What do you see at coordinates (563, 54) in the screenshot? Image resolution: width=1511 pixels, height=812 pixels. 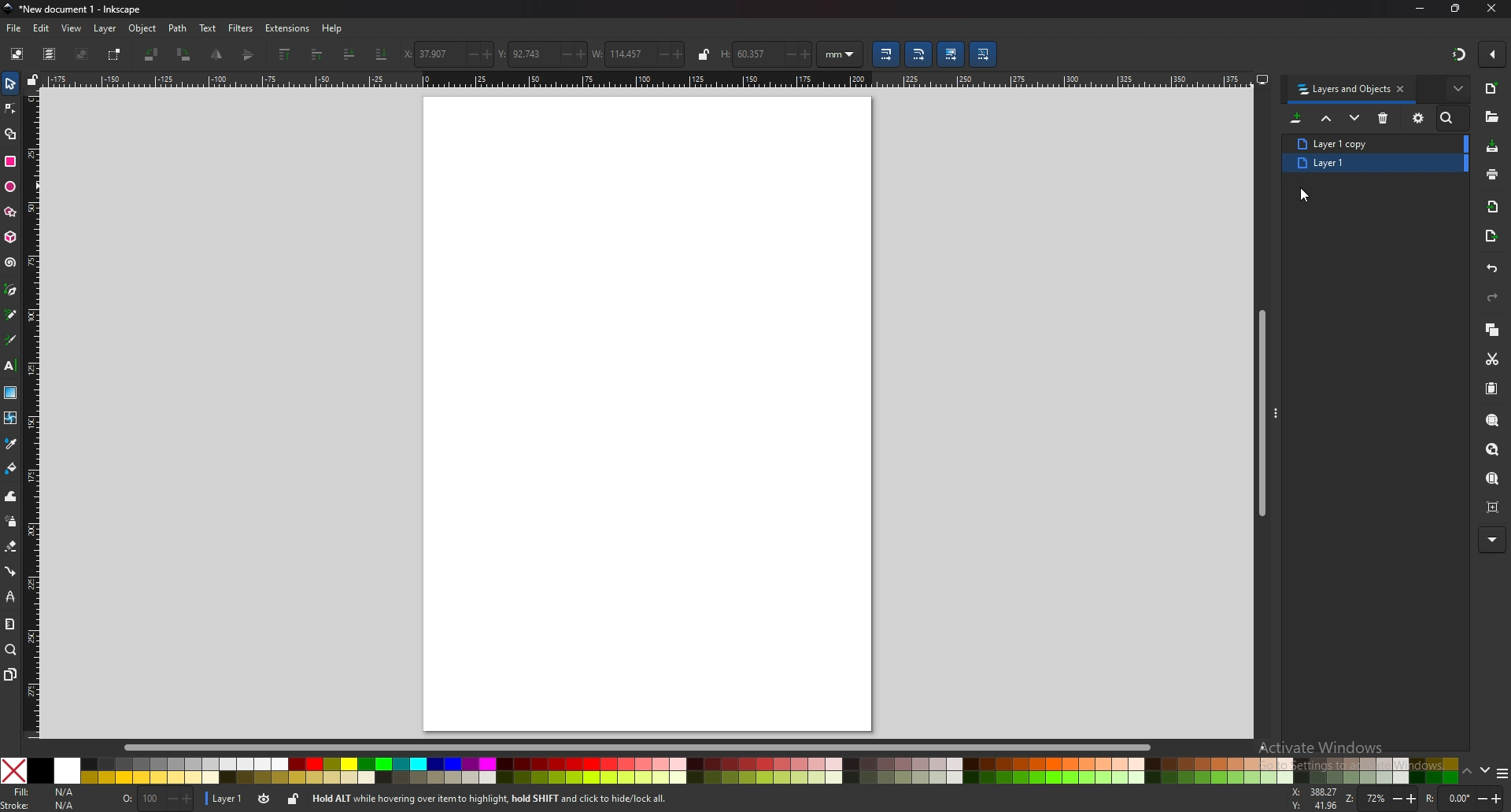 I see `decrease` at bounding box center [563, 54].